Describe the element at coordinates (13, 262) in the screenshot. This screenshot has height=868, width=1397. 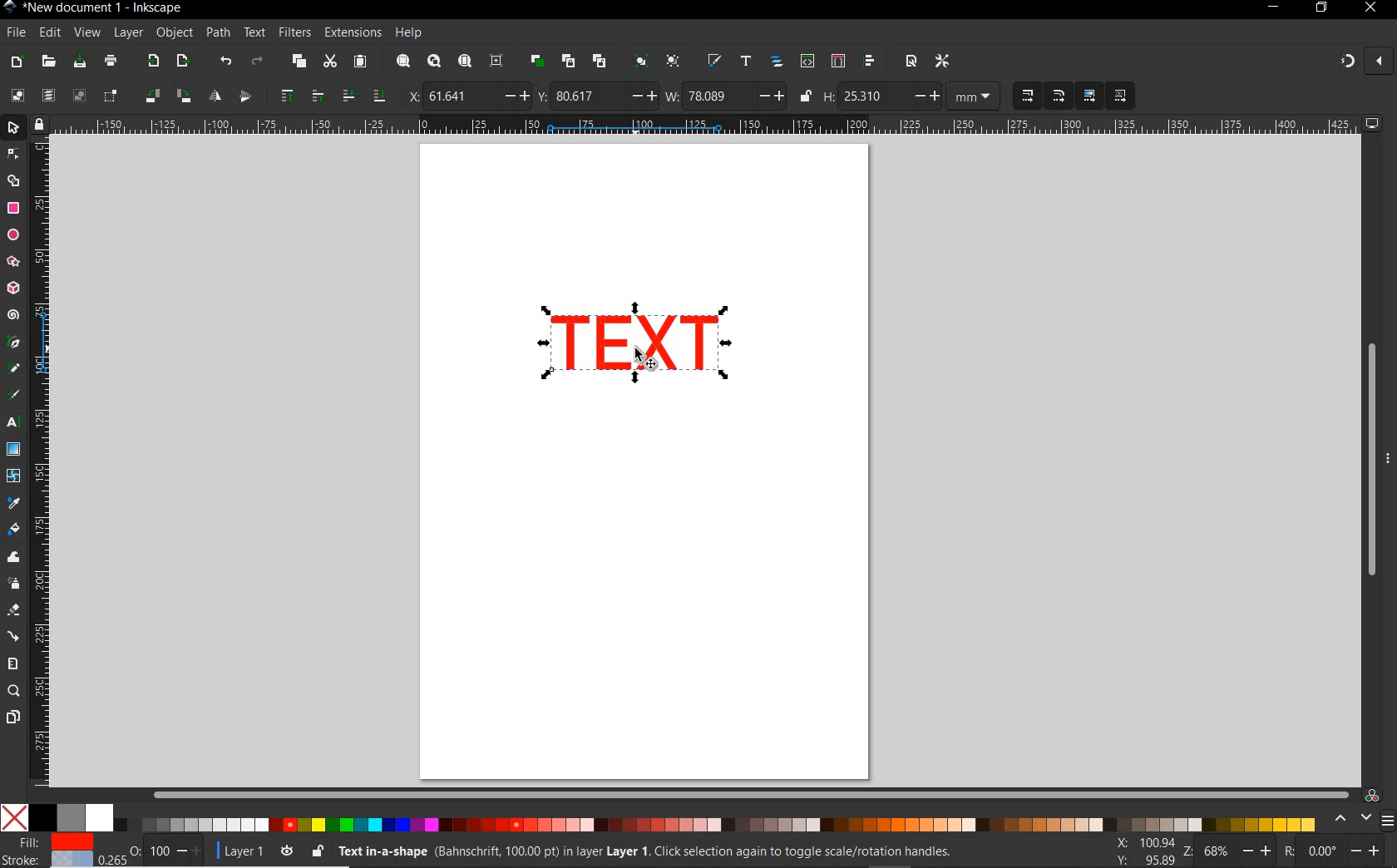
I see `star tool` at that location.